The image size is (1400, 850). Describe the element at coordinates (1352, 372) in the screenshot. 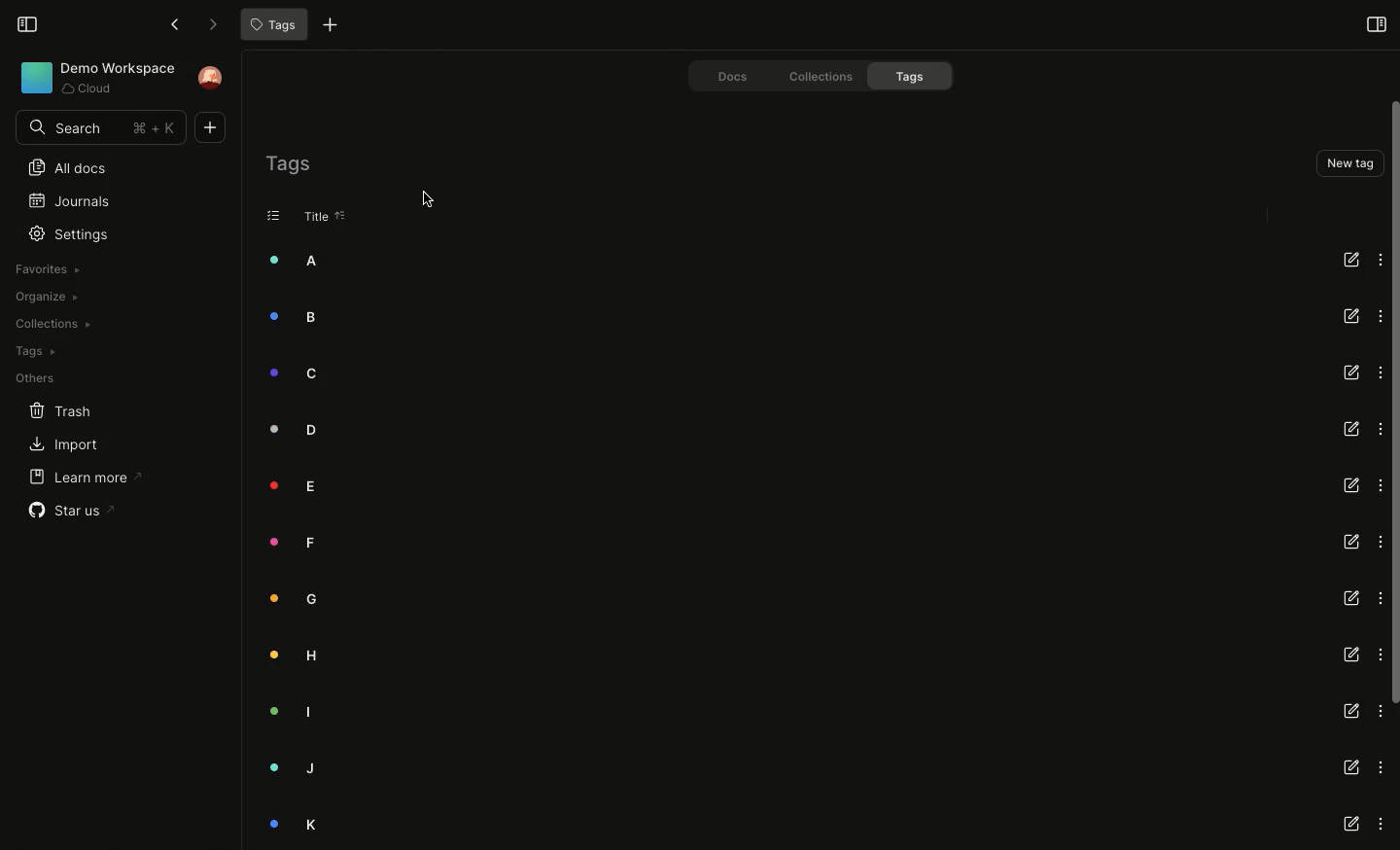

I see `Rename` at that location.